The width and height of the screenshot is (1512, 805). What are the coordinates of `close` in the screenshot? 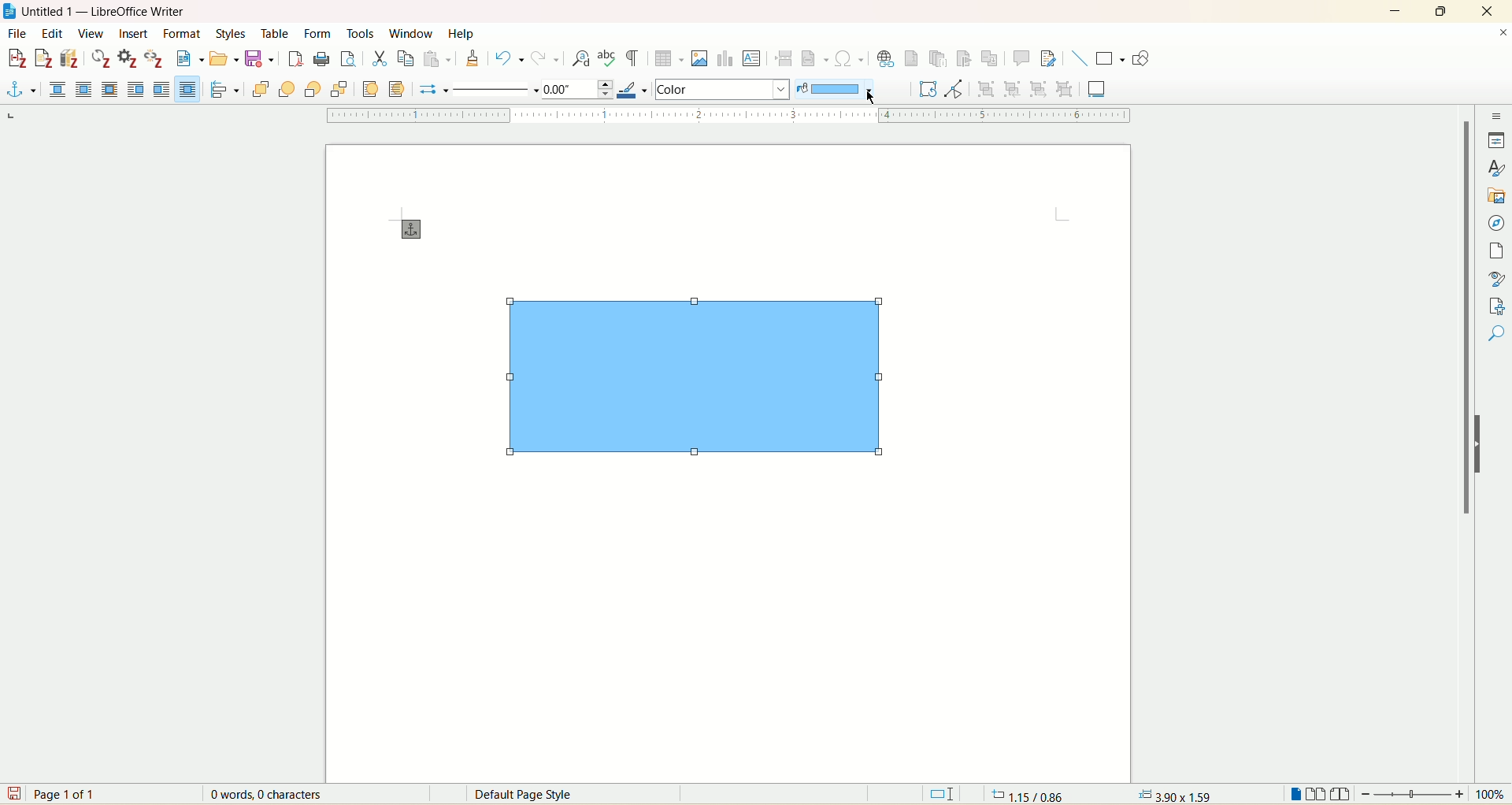 It's located at (1503, 32).